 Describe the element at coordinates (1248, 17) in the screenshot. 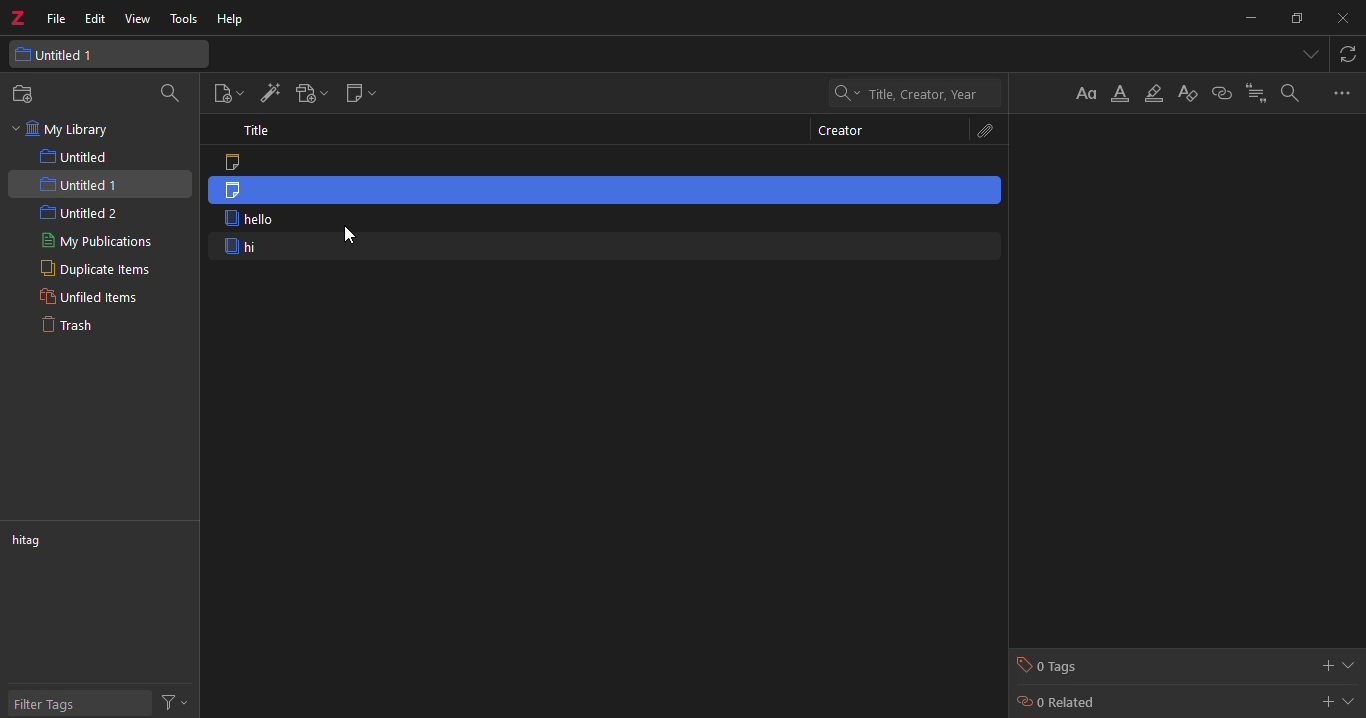

I see `minimize` at that location.